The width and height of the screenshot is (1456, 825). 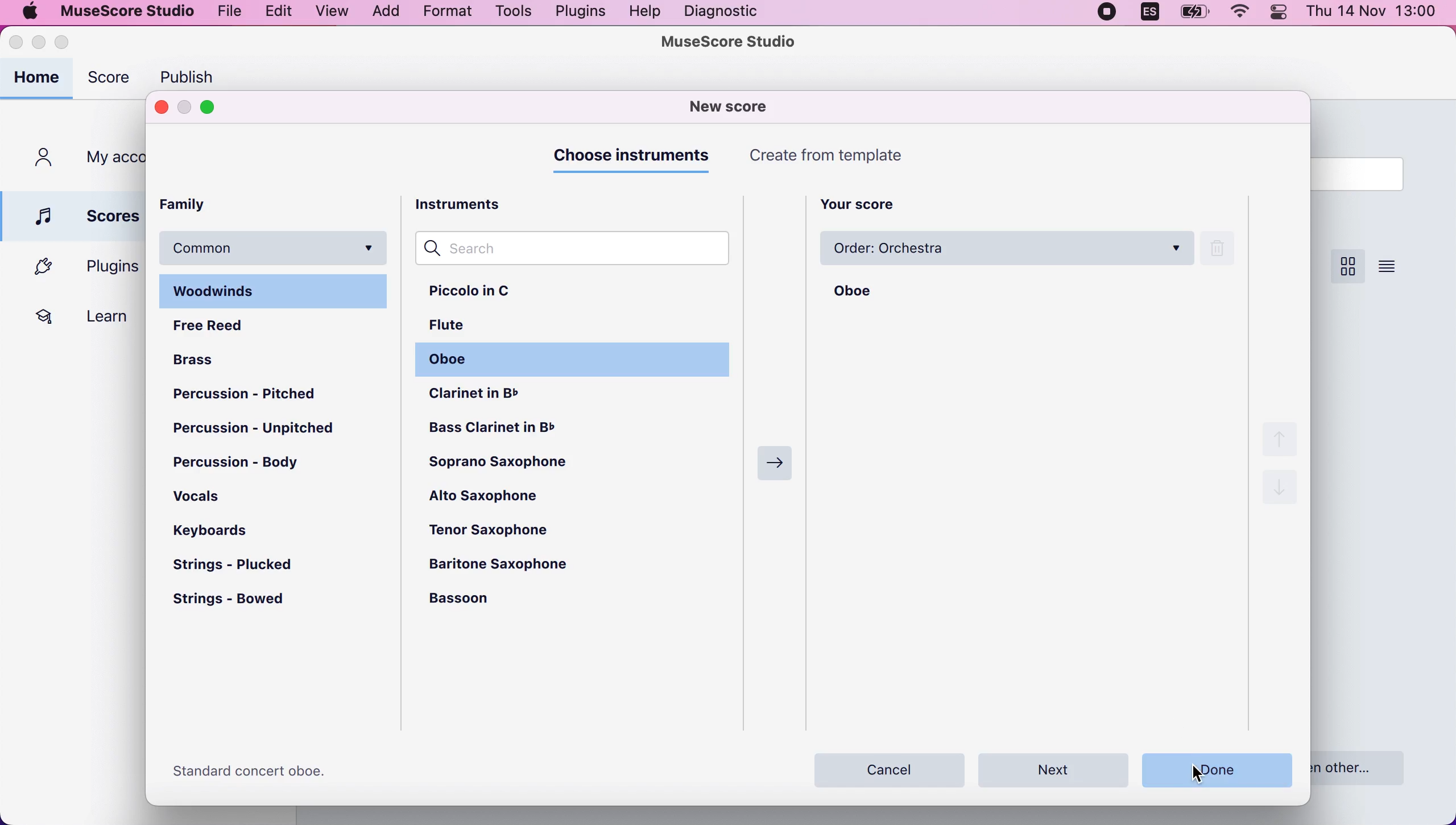 What do you see at coordinates (449, 13) in the screenshot?
I see `format` at bounding box center [449, 13].